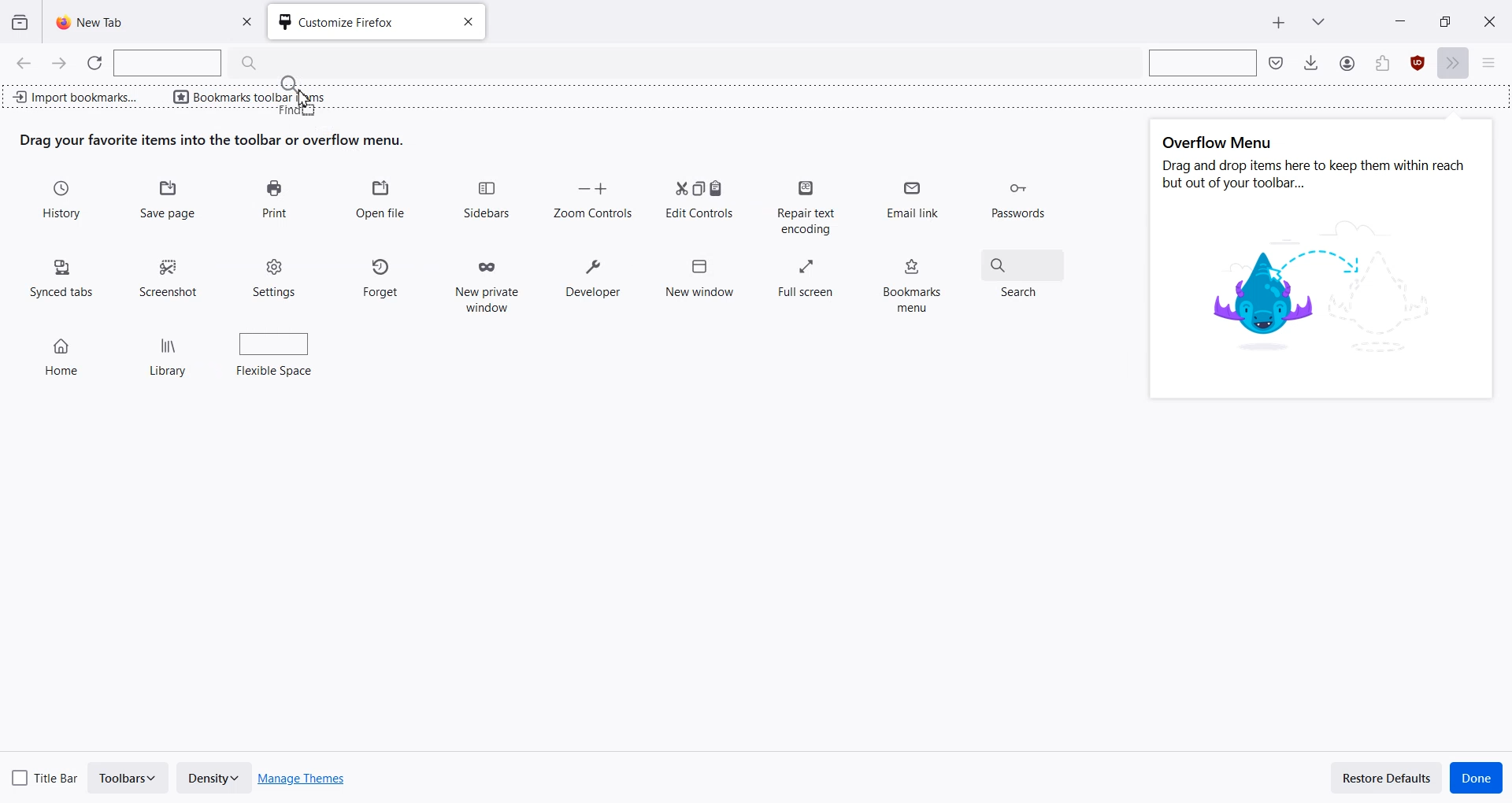  What do you see at coordinates (592, 198) in the screenshot?
I see `Zoom Controls` at bounding box center [592, 198].